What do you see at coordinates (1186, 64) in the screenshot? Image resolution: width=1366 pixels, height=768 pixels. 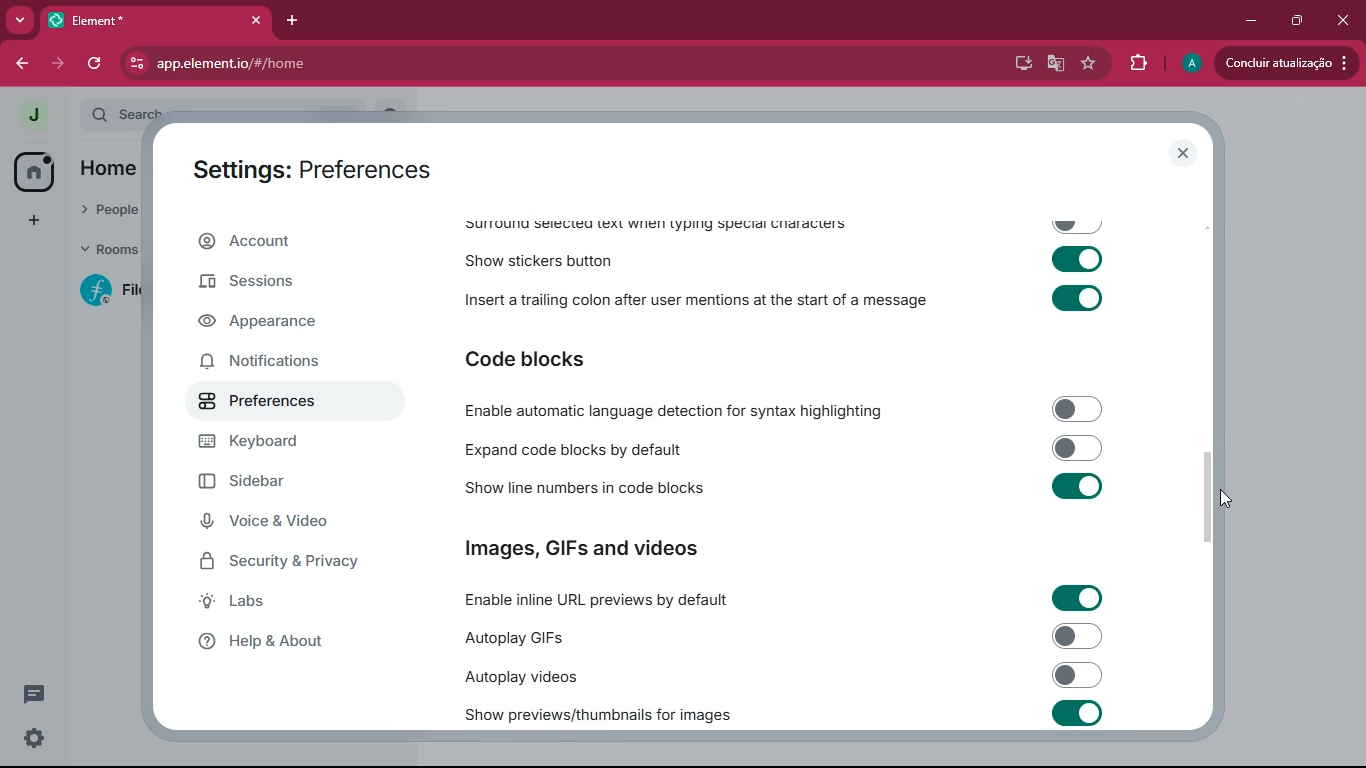 I see `profile ` at bounding box center [1186, 64].